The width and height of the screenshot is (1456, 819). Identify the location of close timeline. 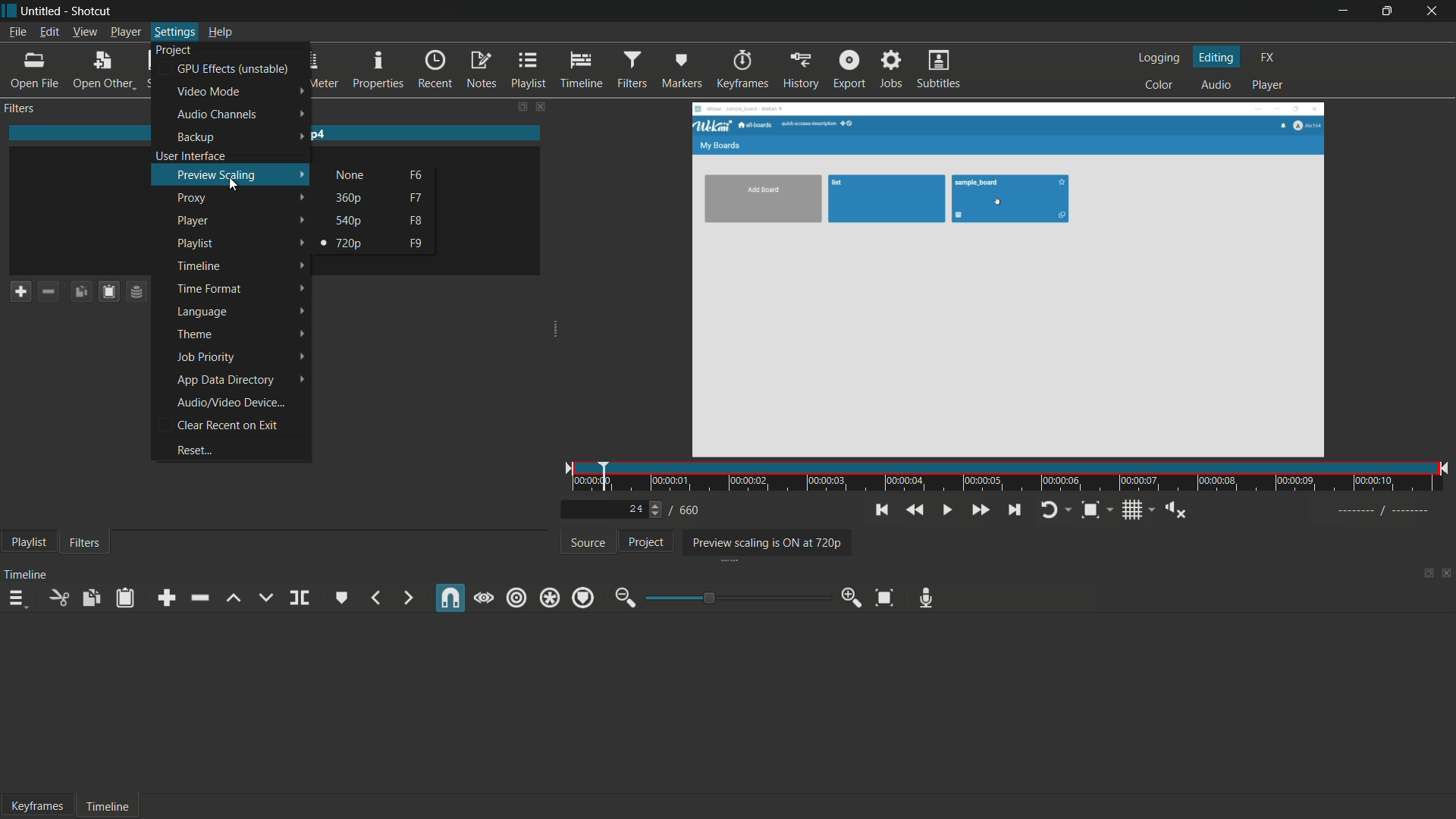
(1447, 575).